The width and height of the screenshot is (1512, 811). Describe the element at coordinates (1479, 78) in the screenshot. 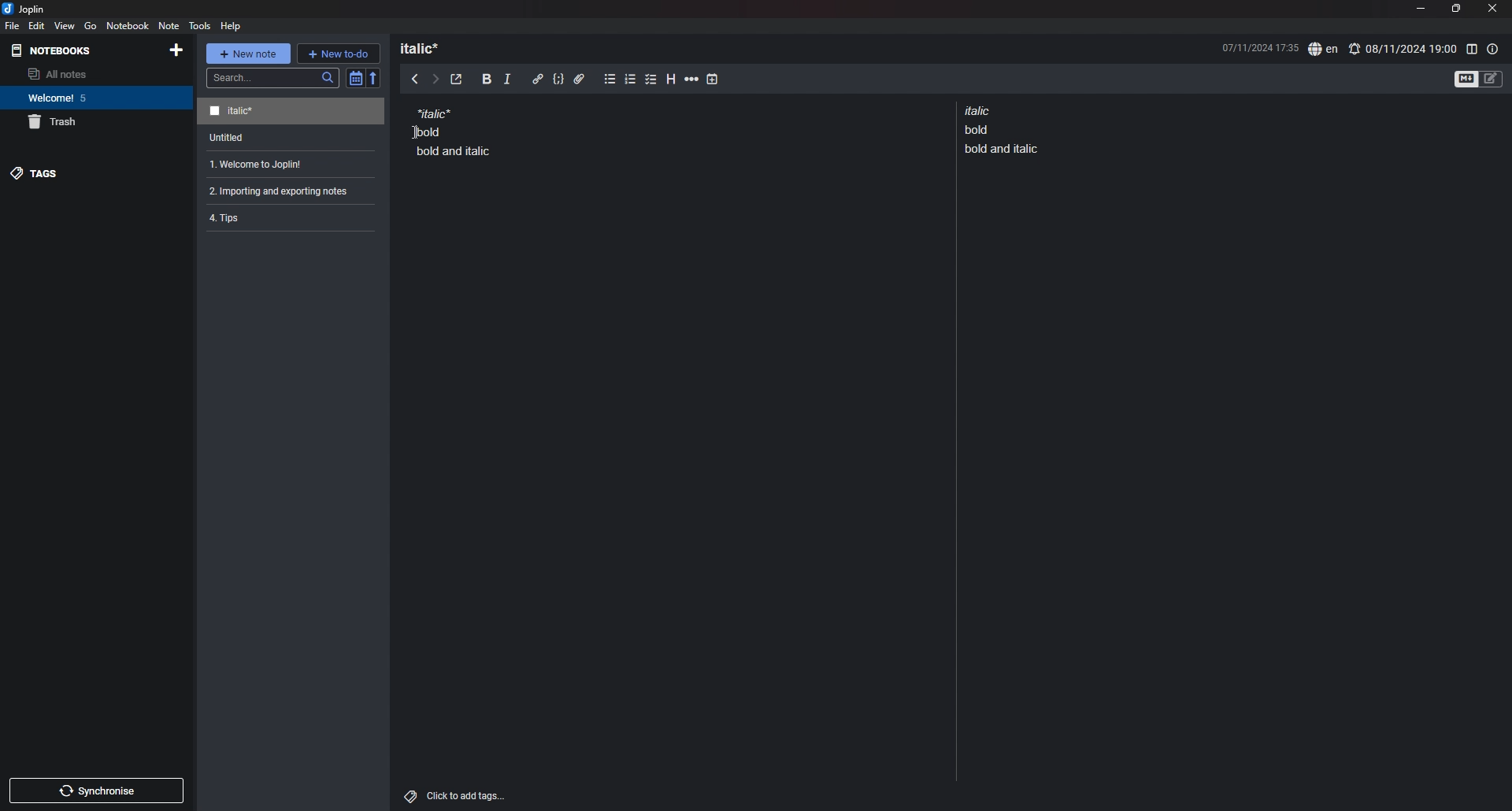

I see `toggle editors` at that location.